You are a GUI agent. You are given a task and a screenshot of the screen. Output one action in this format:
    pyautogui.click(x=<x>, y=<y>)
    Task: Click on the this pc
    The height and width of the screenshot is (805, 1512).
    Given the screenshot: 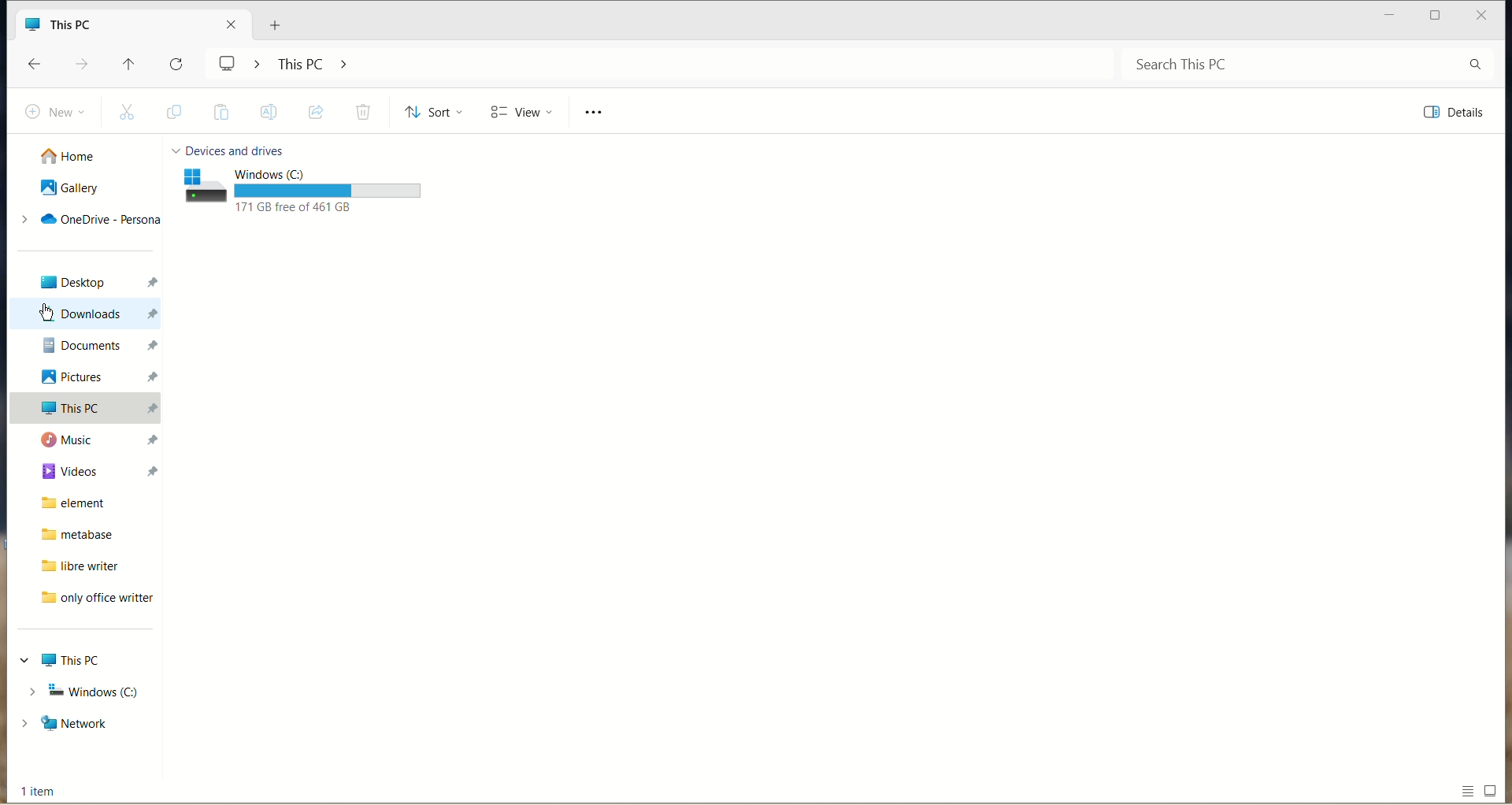 What is the action you would take?
    pyautogui.click(x=87, y=411)
    